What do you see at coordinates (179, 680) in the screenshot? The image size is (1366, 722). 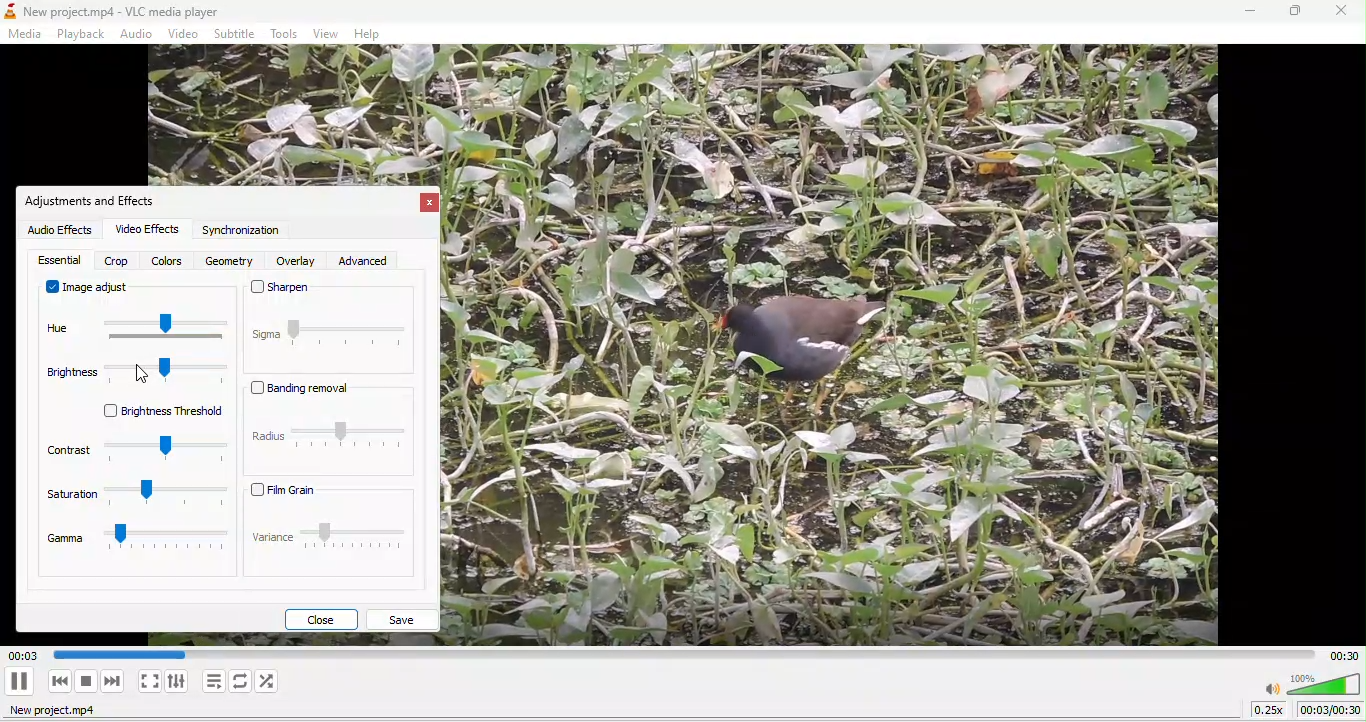 I see `show extended settings` at bounding box center [179, 680].